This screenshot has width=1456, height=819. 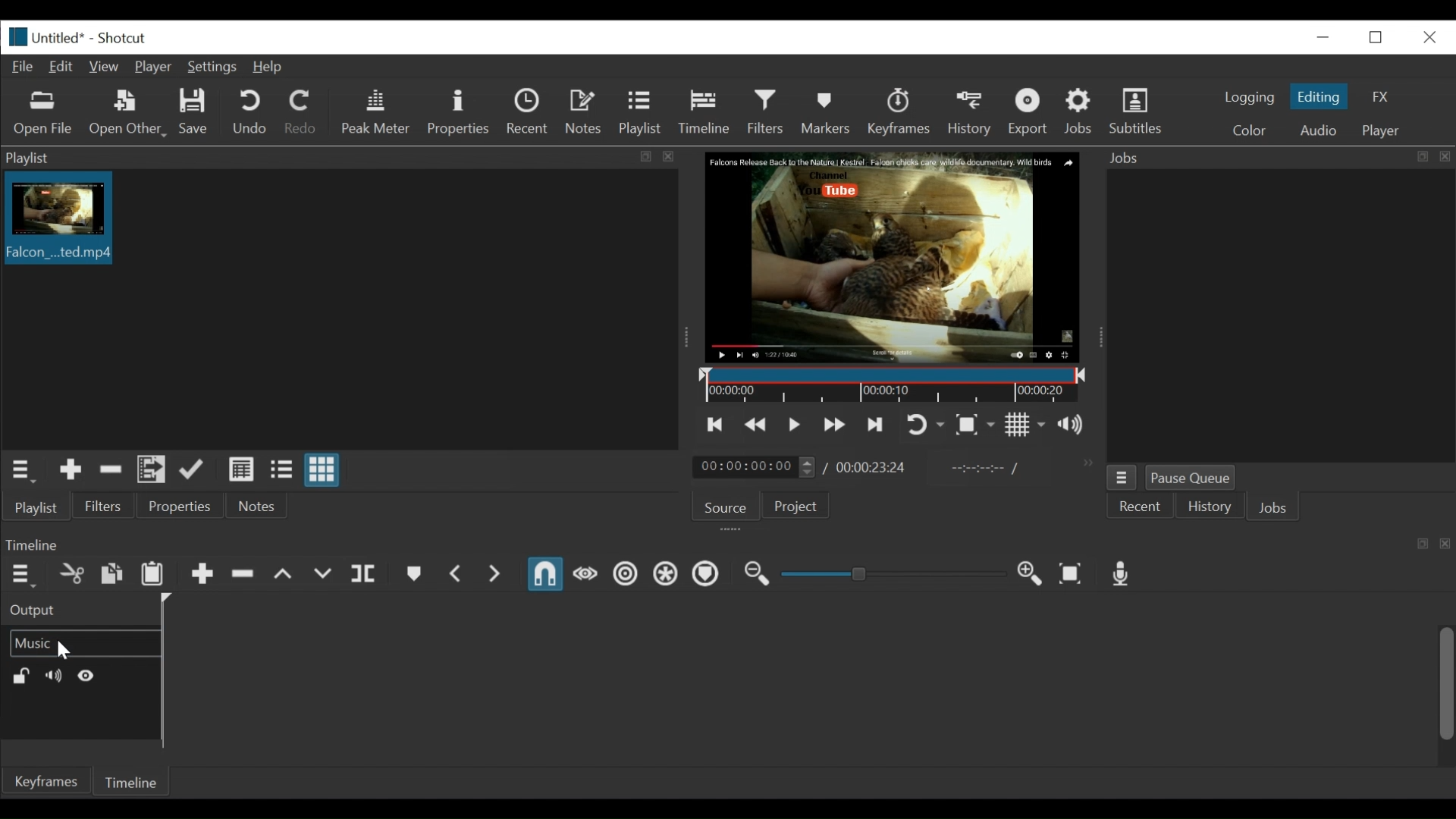 I want to click on Notes, so click(x=260, y=508).